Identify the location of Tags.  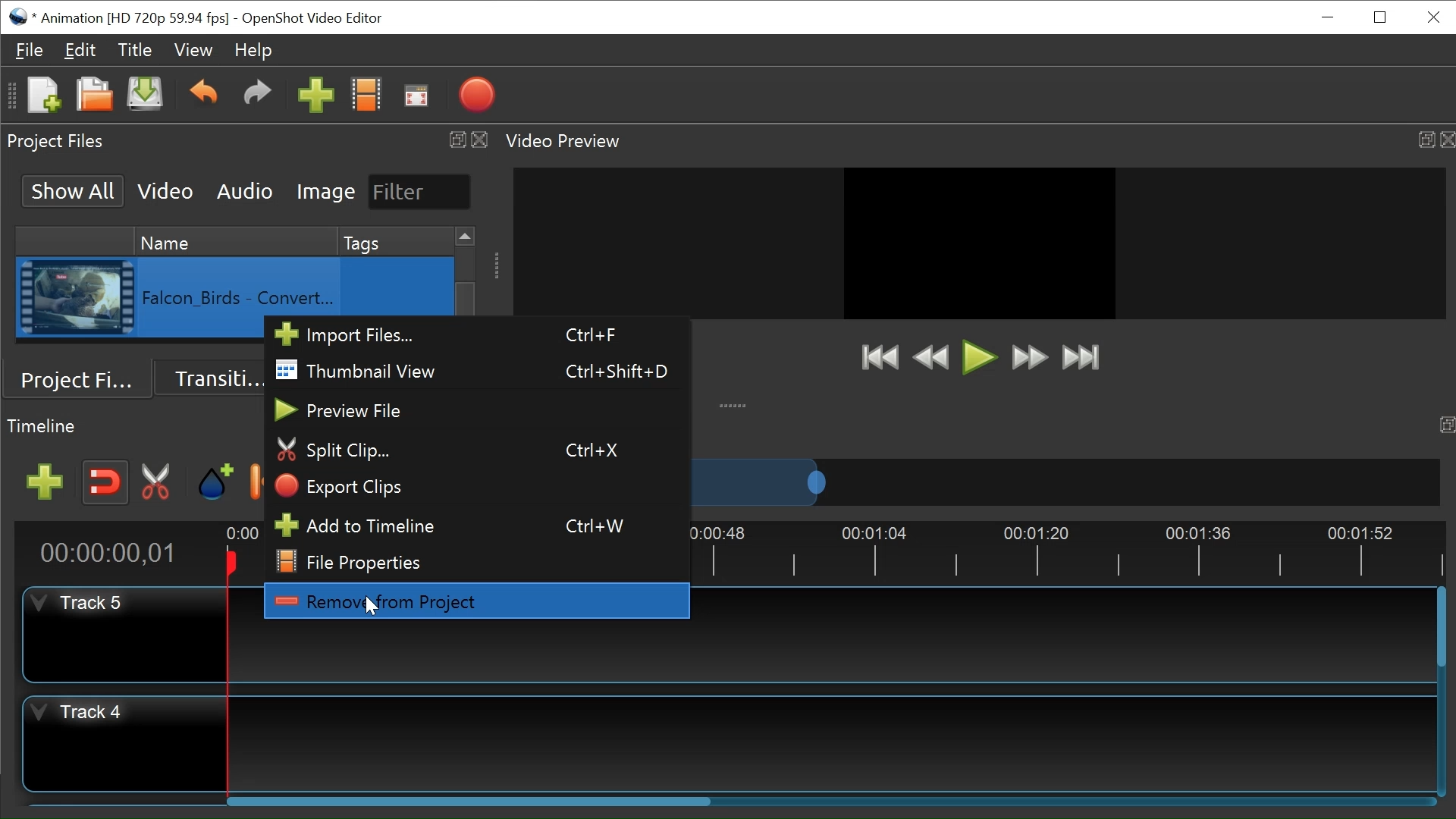
(395, 241).